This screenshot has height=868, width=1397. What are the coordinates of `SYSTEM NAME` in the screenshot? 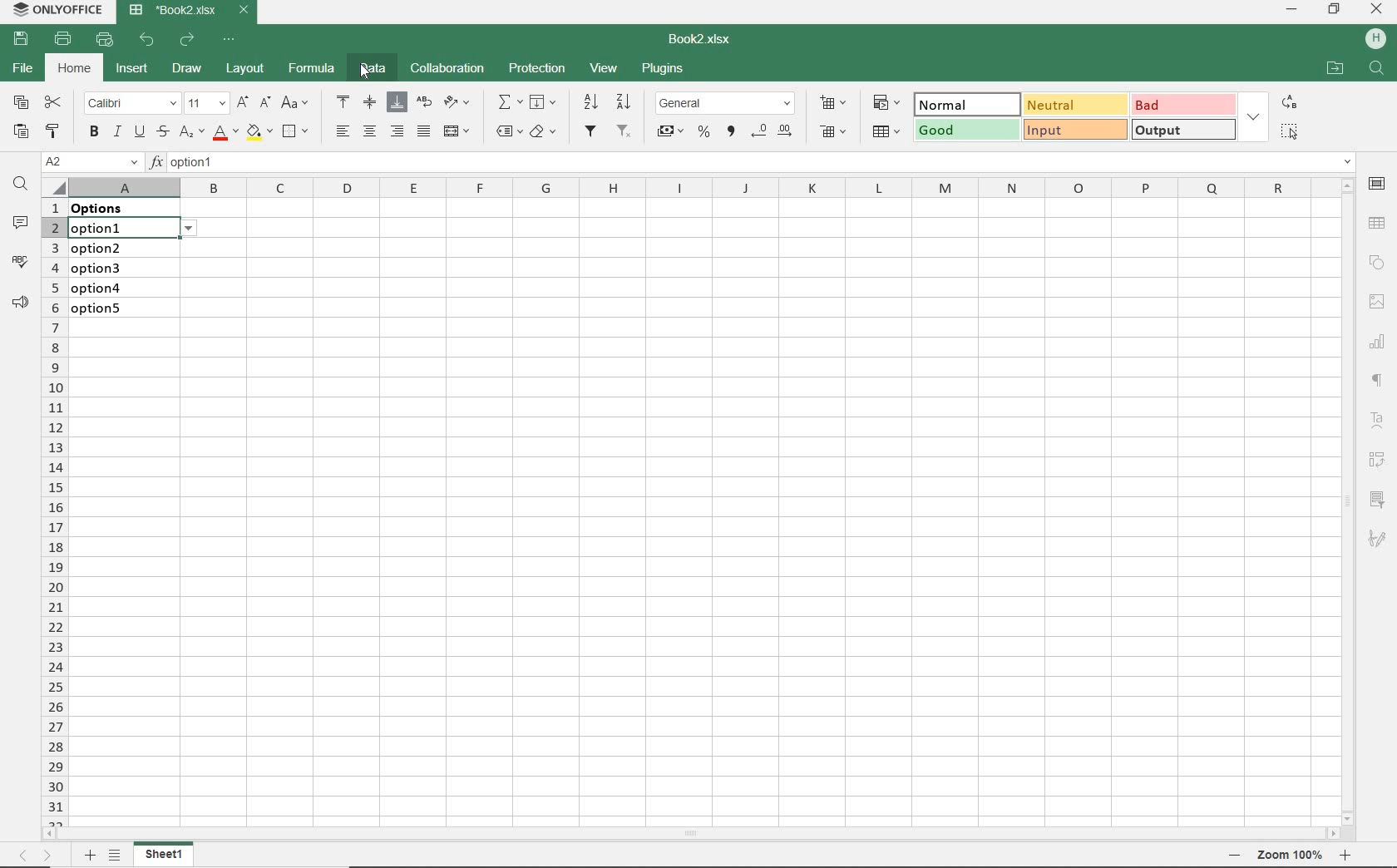 It's located at (60, 10).